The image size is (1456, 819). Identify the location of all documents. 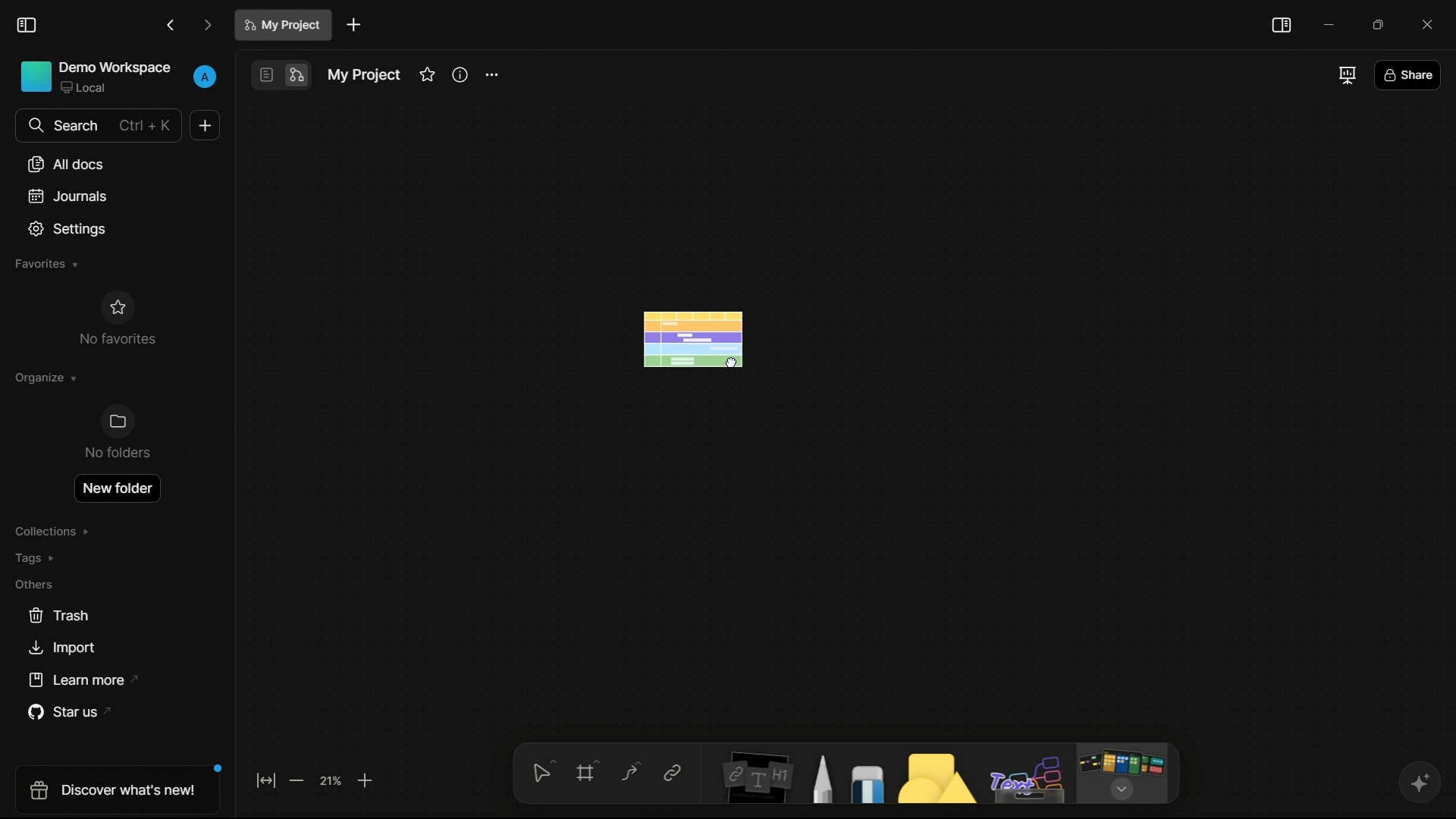
(65, 165).